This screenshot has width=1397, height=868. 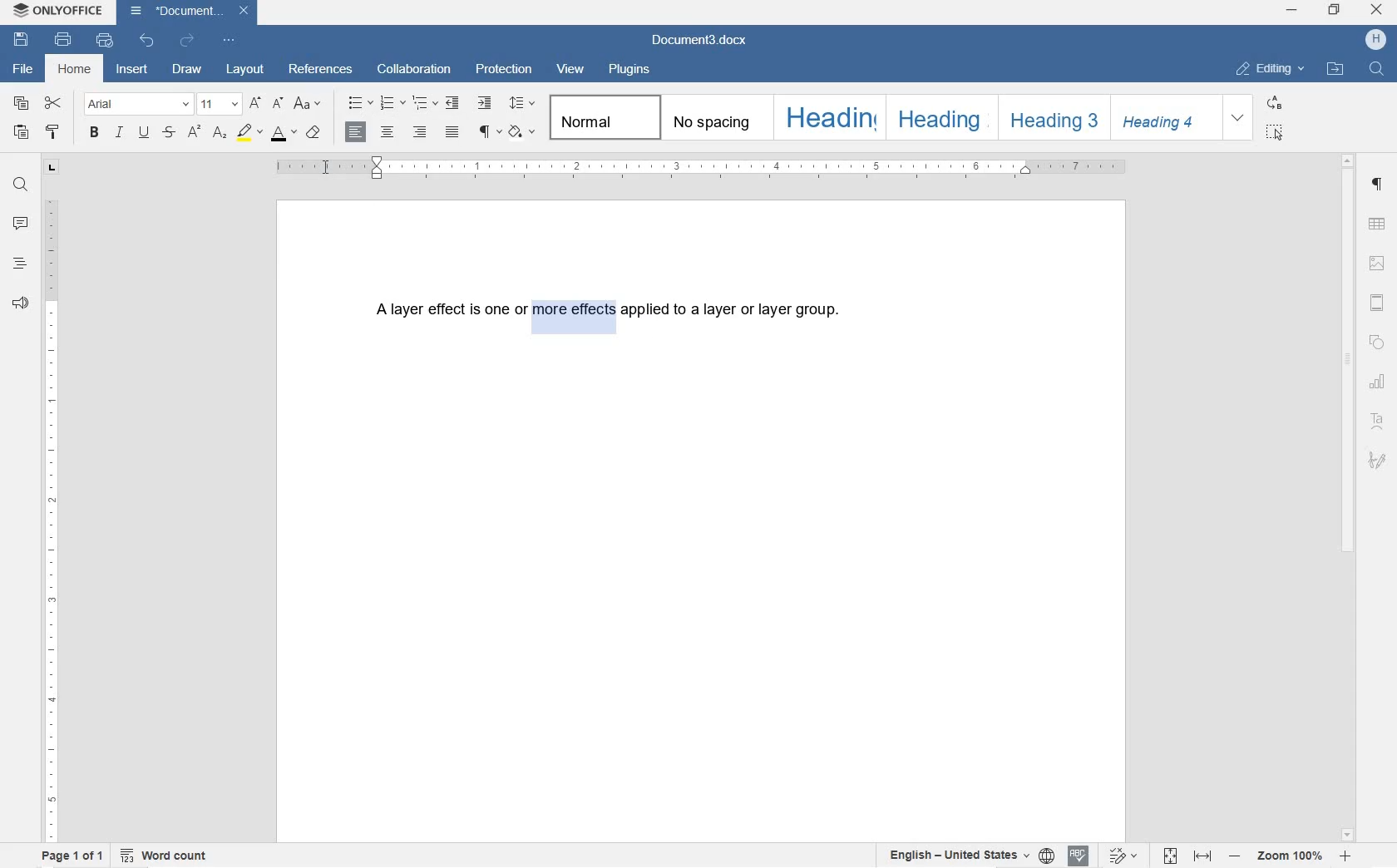 I want to click on FONT COLOR, so click(x=282, y=134).